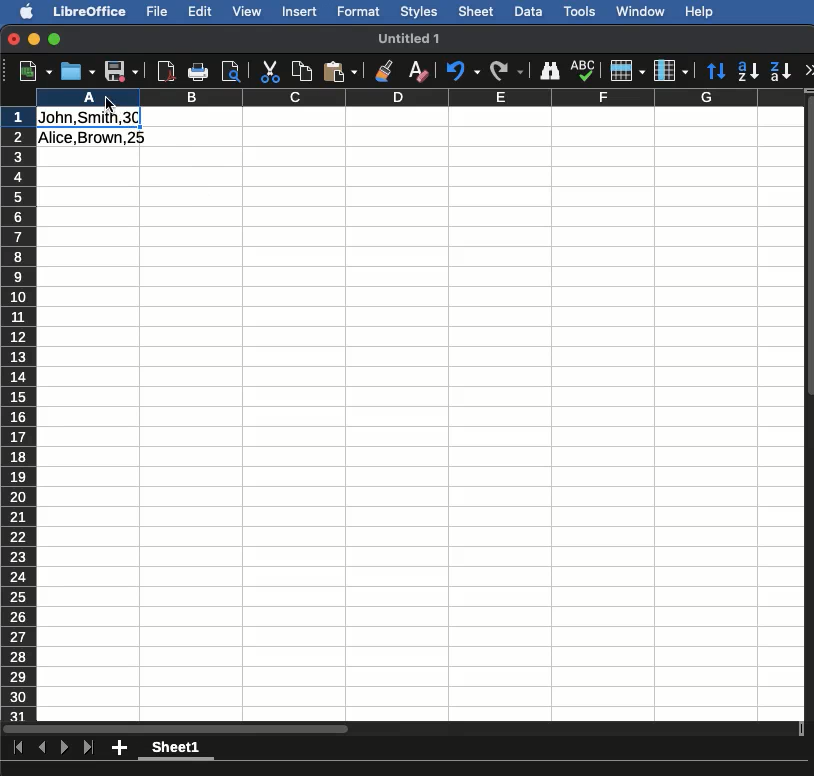 The image size is (814, 776). Describe the element at coordinates (477, 11) in the screenshot. I see `Sheet` at that location.